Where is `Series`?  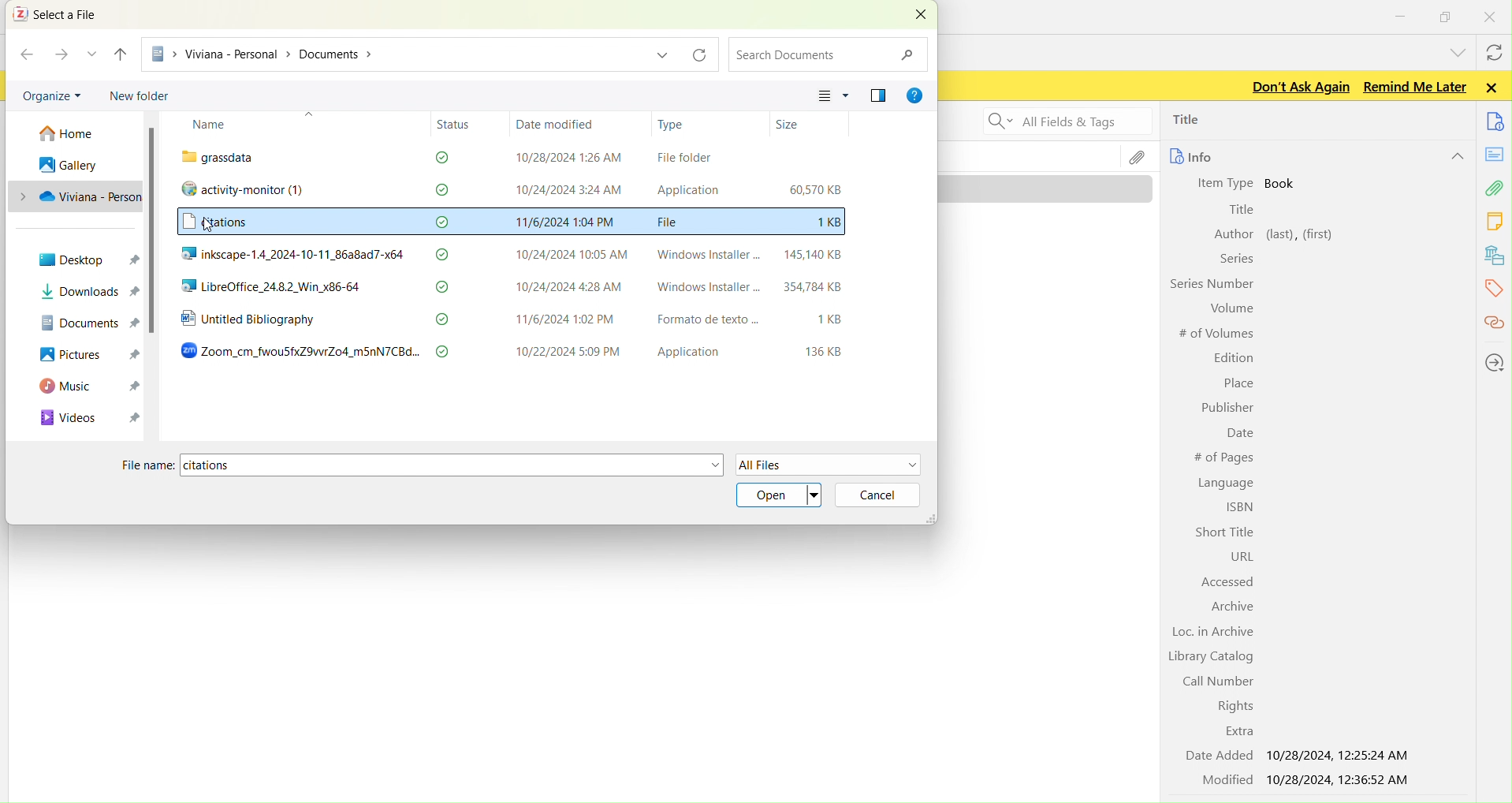 Series is located at coordinates (1235, 260).